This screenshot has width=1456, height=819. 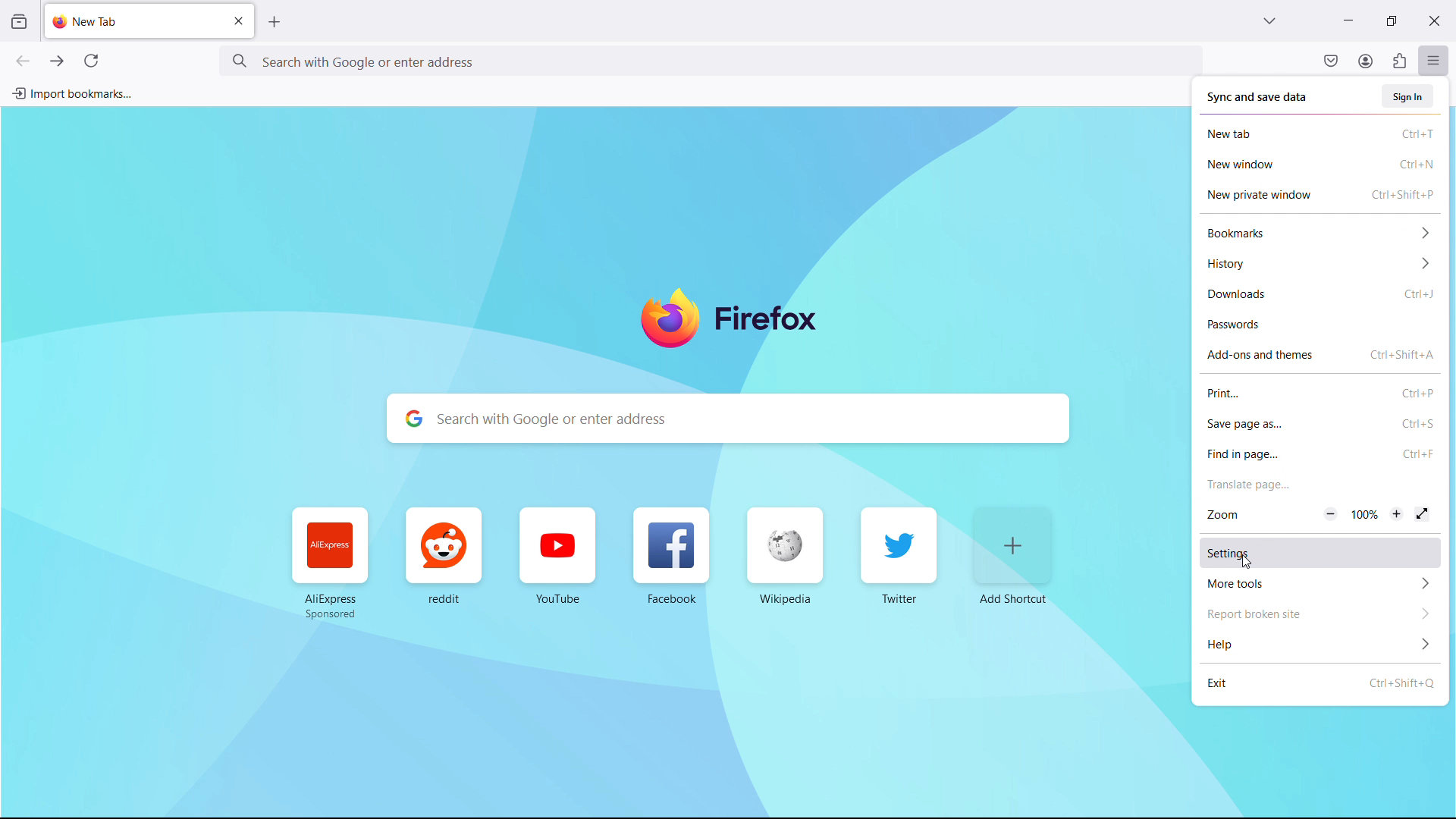 I want to click on go forward one page, right click or pull down to show history, so click(x=57, y=61).